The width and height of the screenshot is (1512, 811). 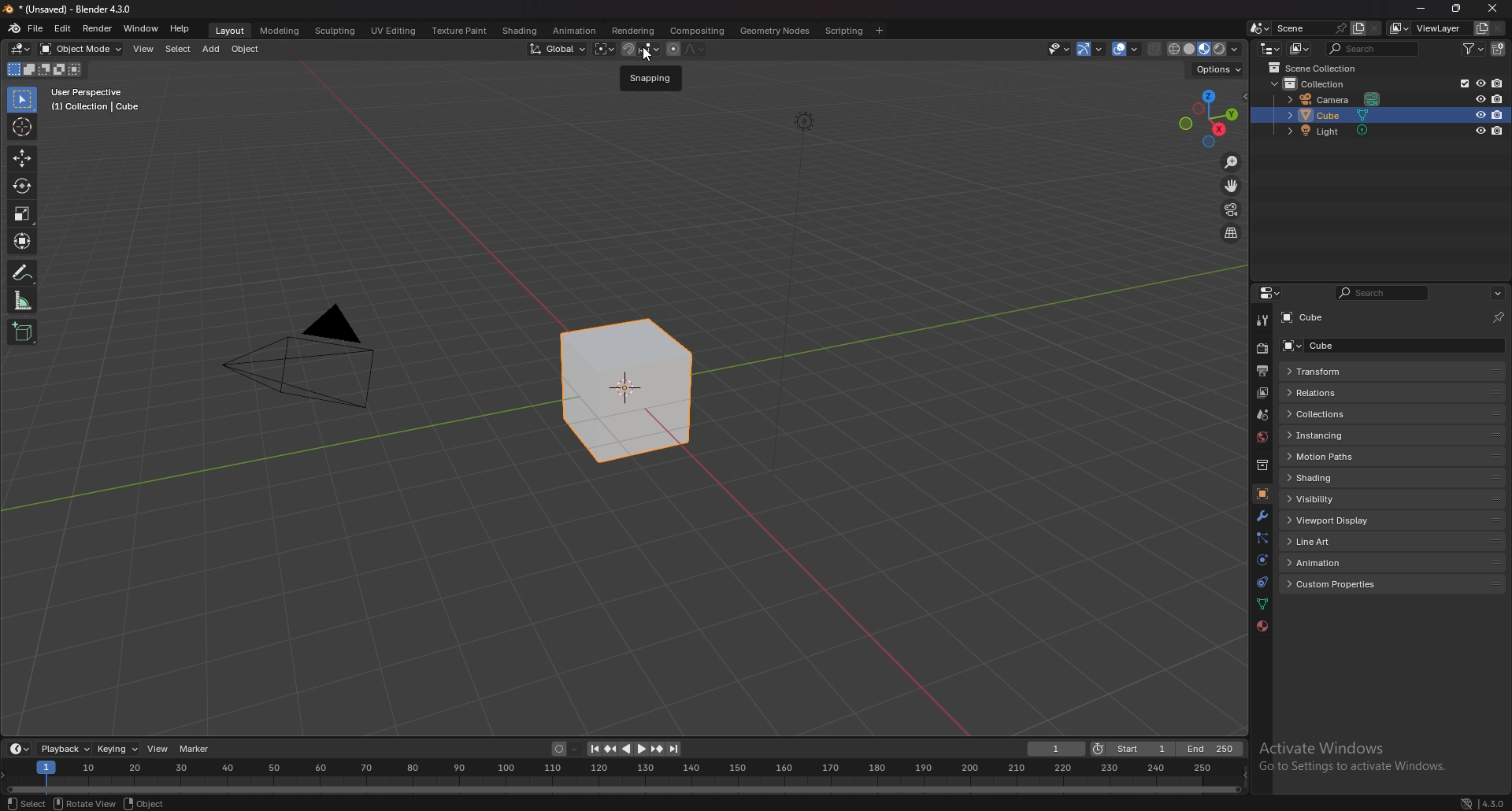 I want to click on editor type, so click(x=22, y=49).